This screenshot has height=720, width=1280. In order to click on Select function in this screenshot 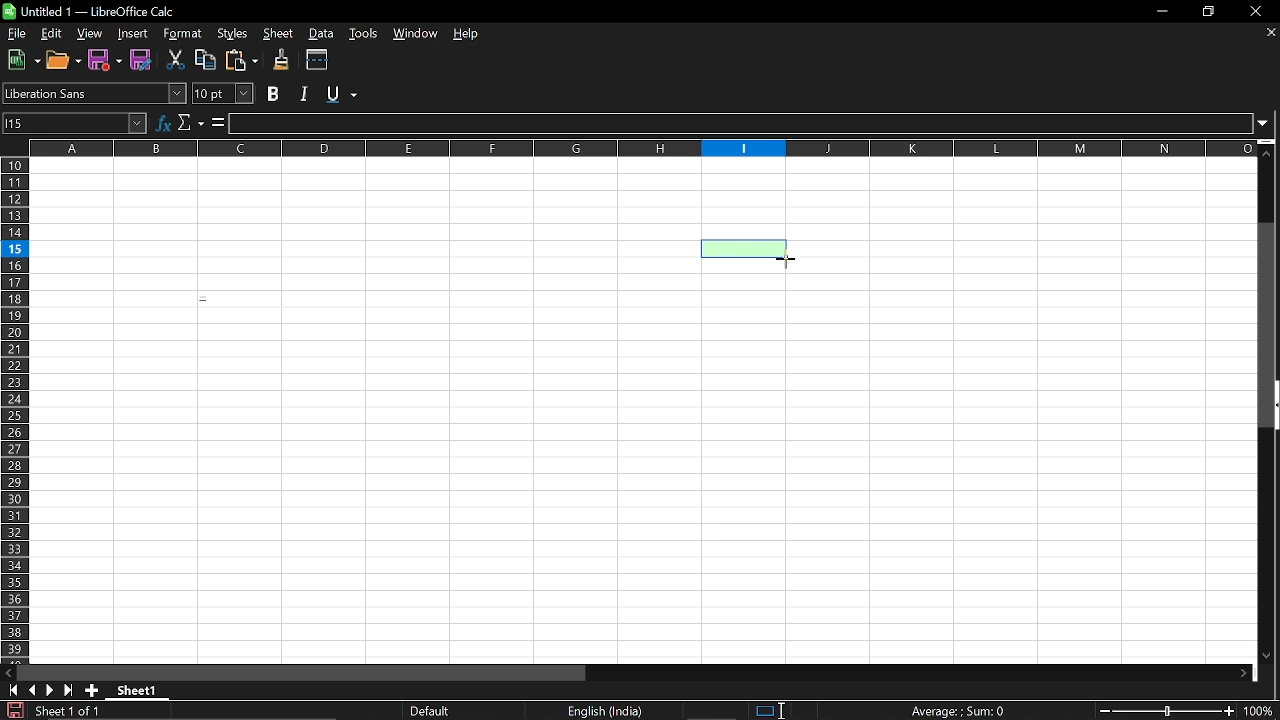, I will do `click(191, 123)`.